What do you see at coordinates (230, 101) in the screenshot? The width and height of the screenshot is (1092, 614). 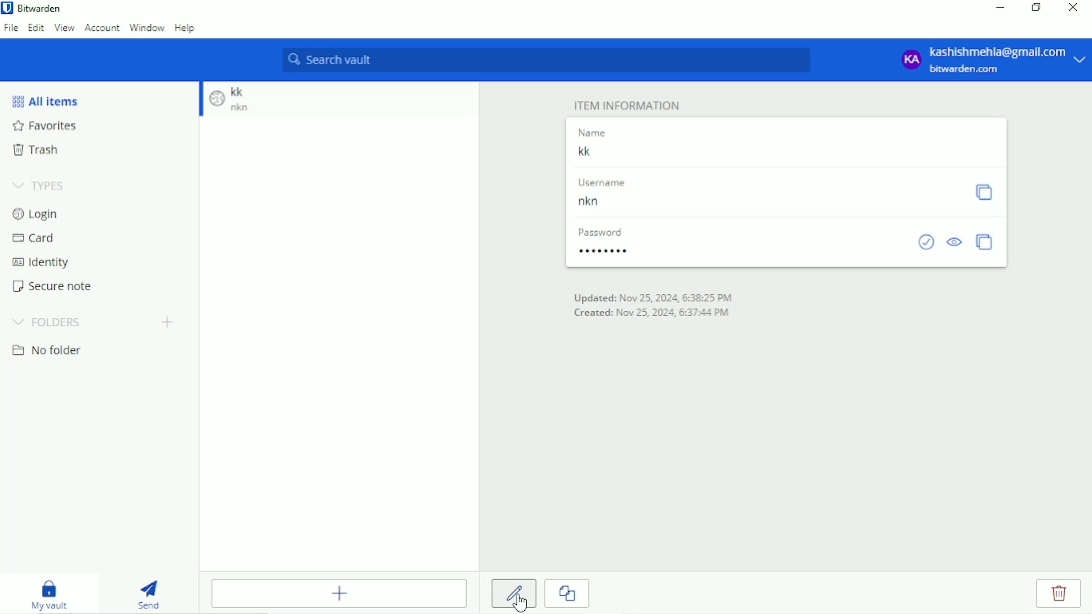 I see `Item` at bounding box center [230, 101].